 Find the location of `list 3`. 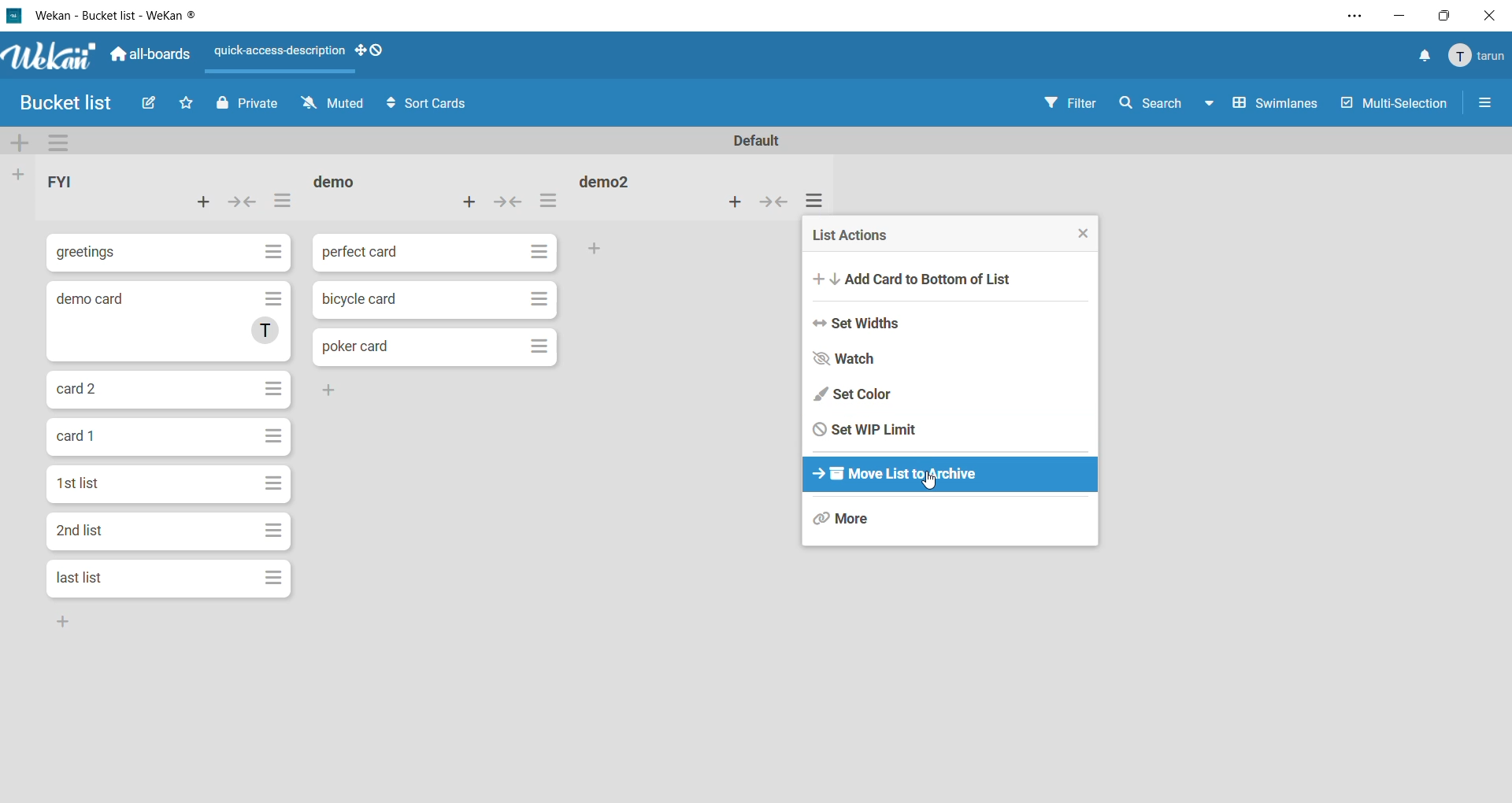

list 3 is located at coordinates (614, 185).